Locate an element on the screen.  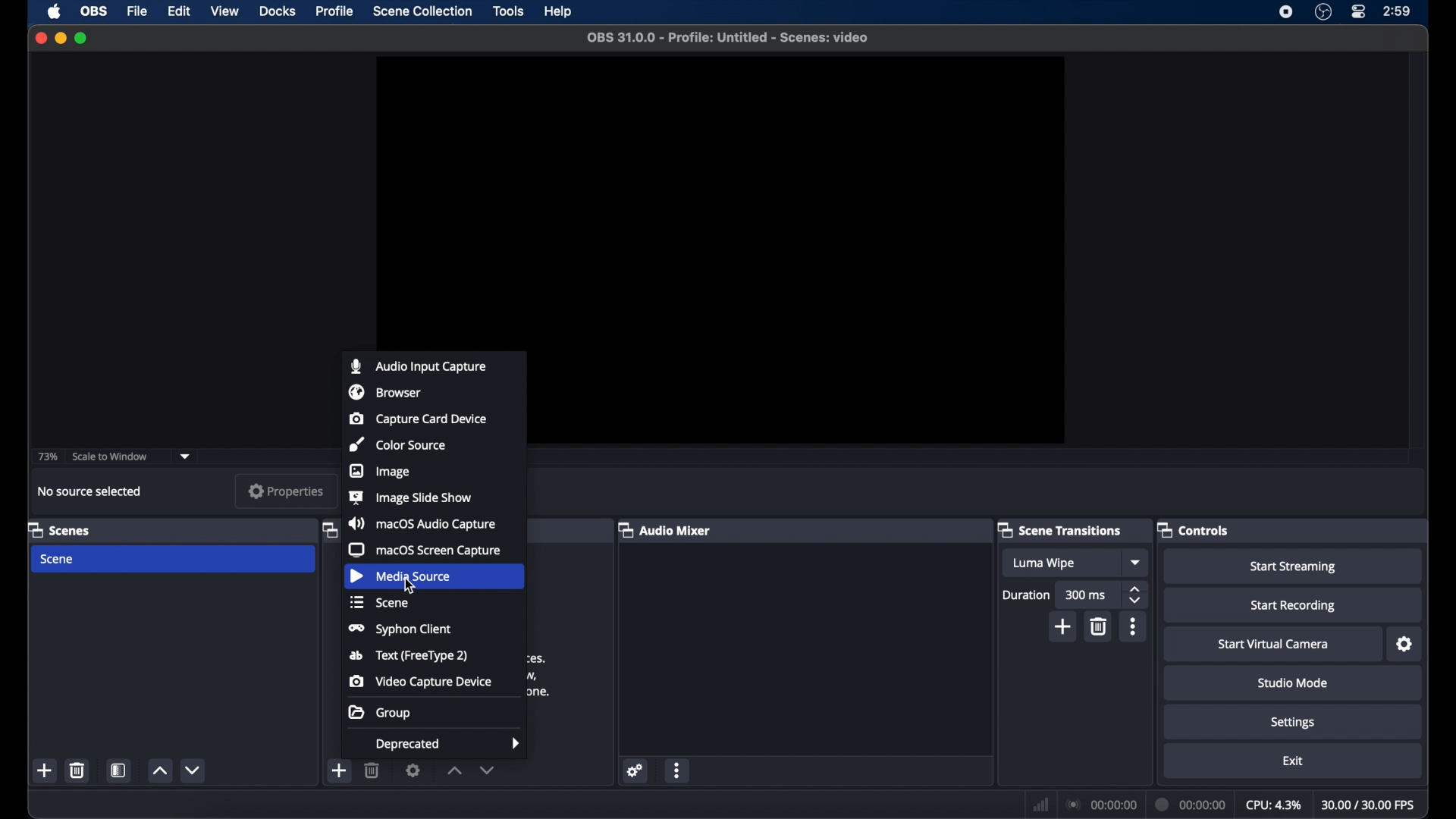
delete is located at coordinates (1100, 627).